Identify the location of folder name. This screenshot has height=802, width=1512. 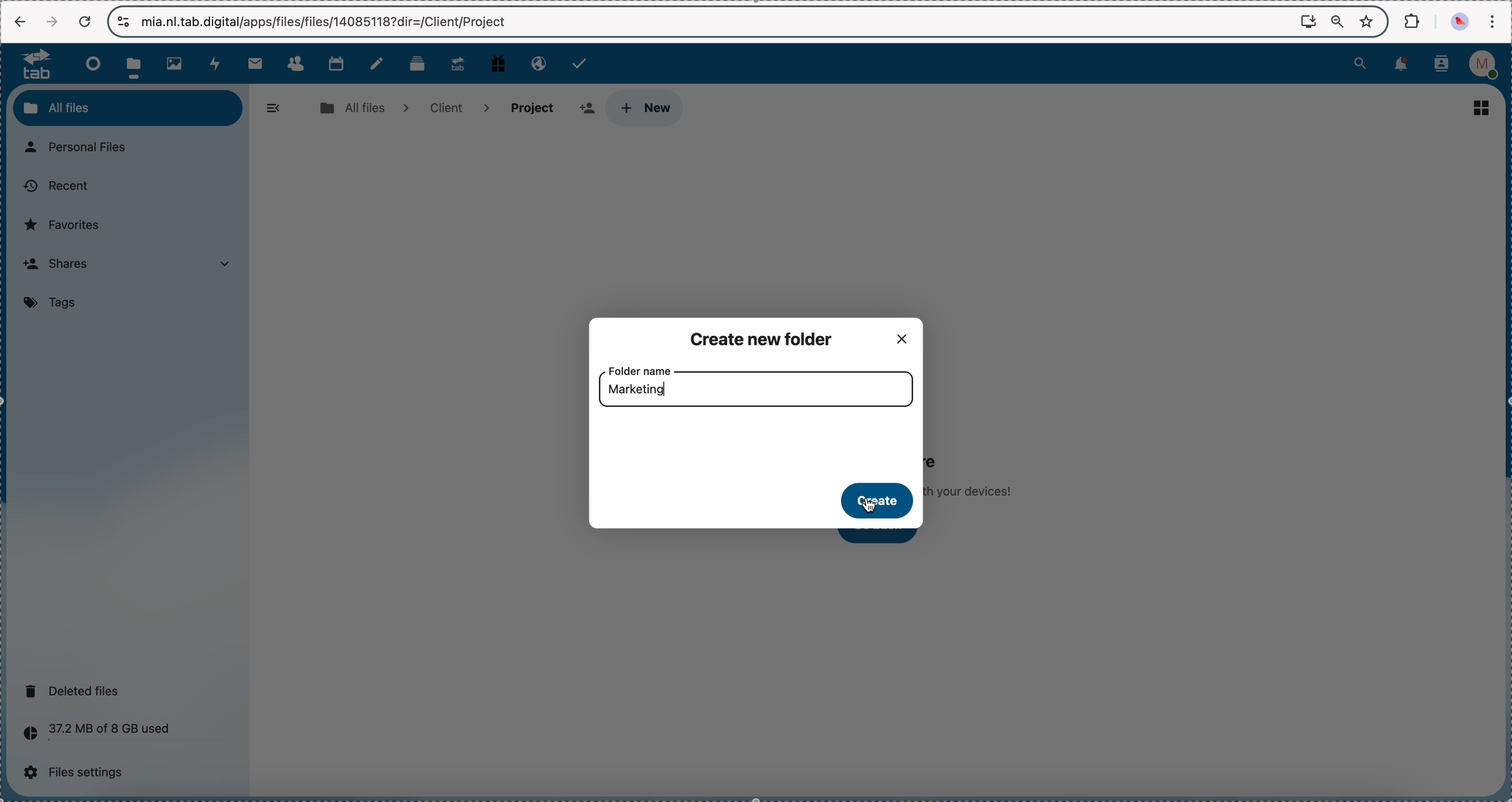
(640, 368).